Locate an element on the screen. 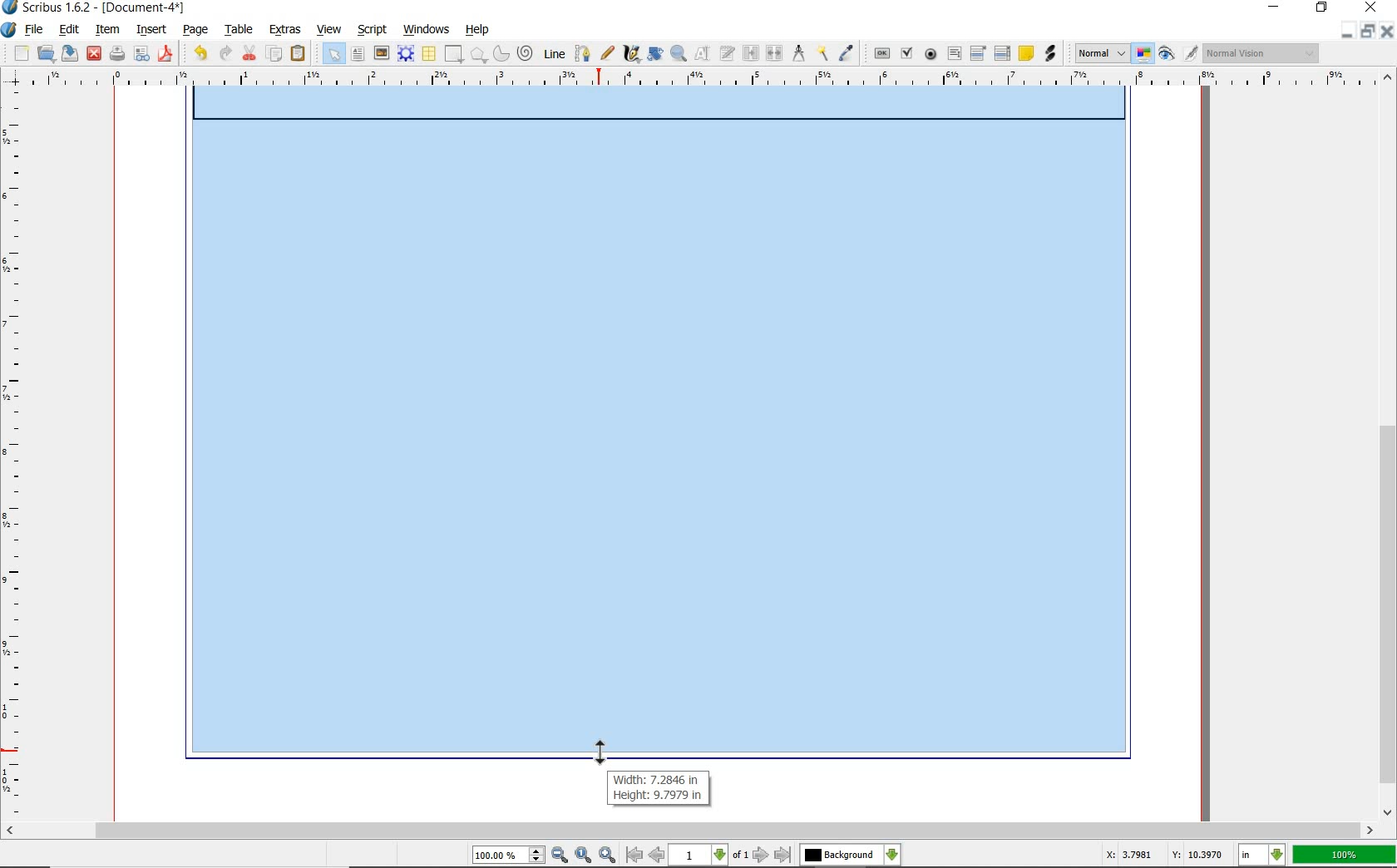 The width and height of the screenshot is (1397, 868). preview mode is located at coordinates (1178, 55).